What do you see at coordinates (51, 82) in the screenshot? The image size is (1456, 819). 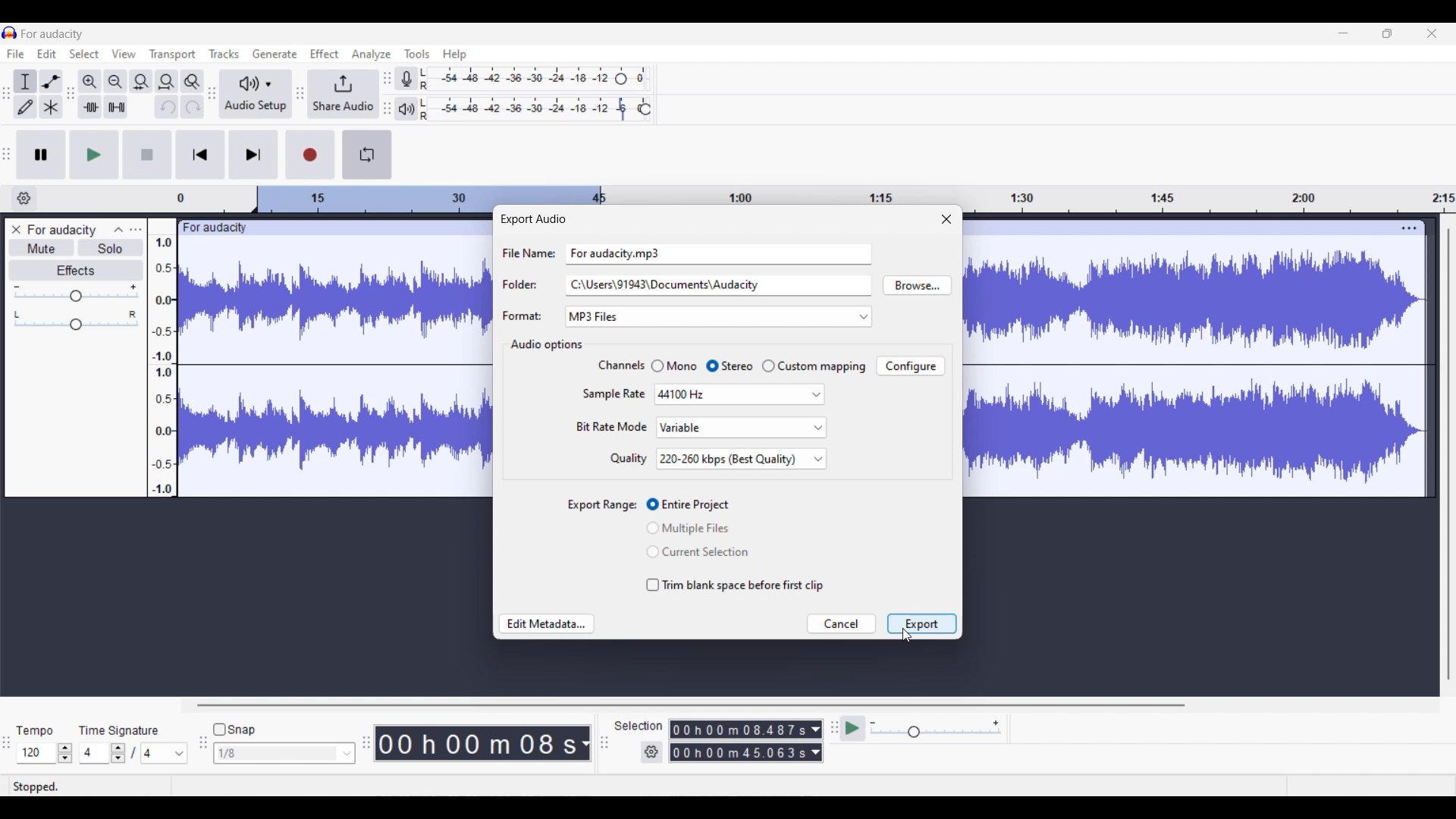 I see `Envelop tool` at bounding box center [51, 82].